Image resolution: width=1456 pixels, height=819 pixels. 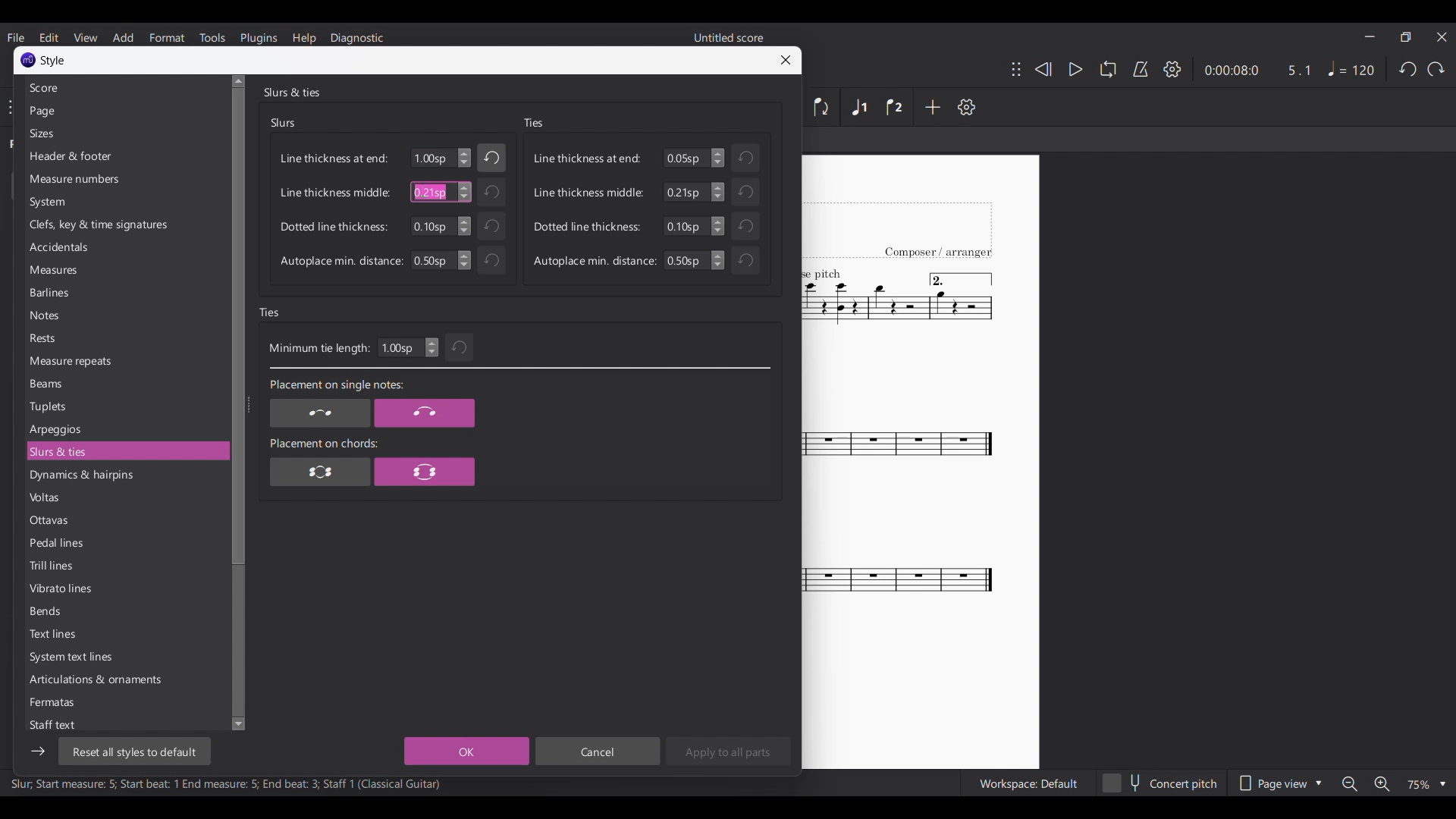 I want to click on Increase/Decrease line thickness at end, so click(x=465, y=158).